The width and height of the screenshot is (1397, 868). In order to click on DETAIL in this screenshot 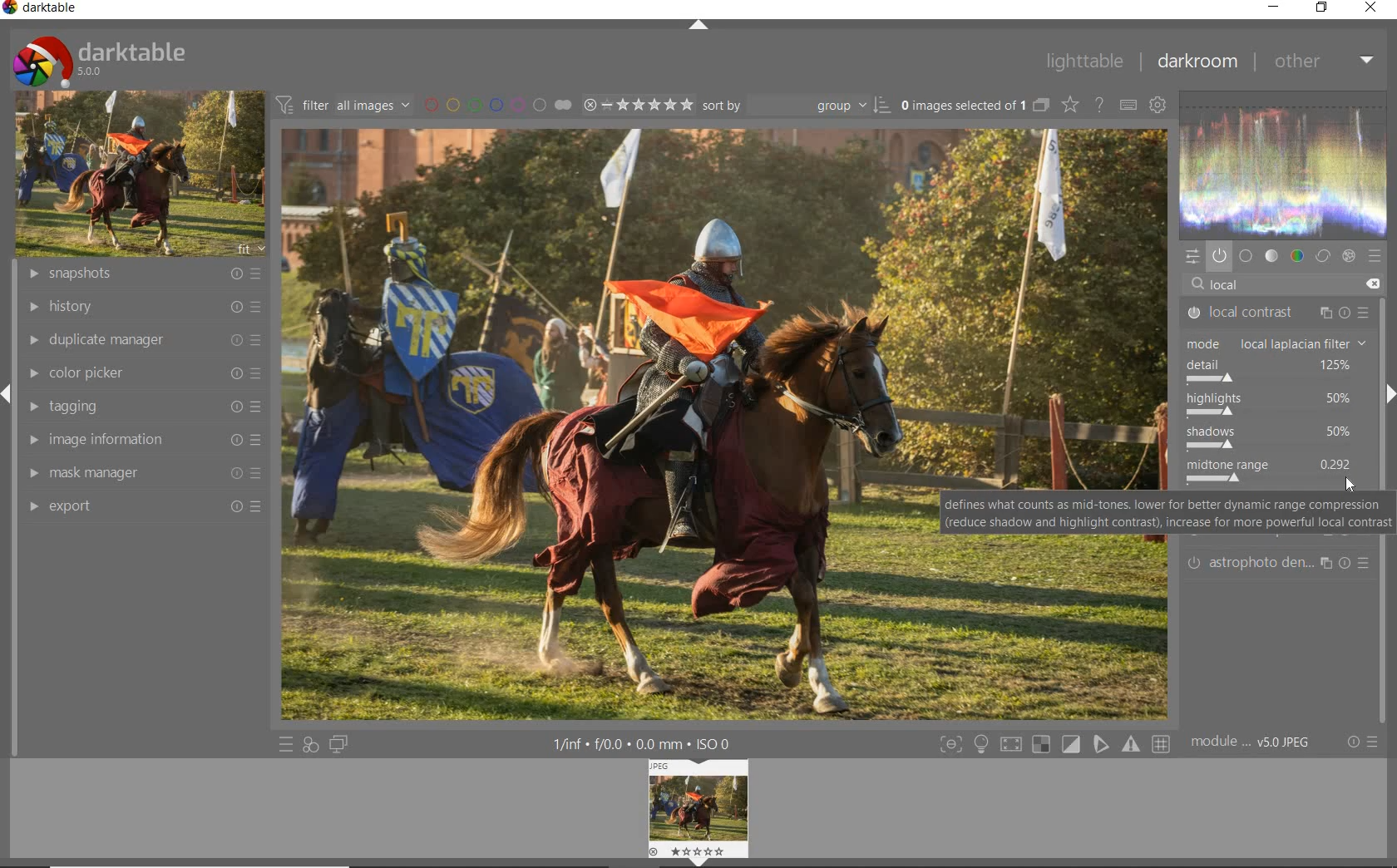, I will do `click(1277, 371)`.